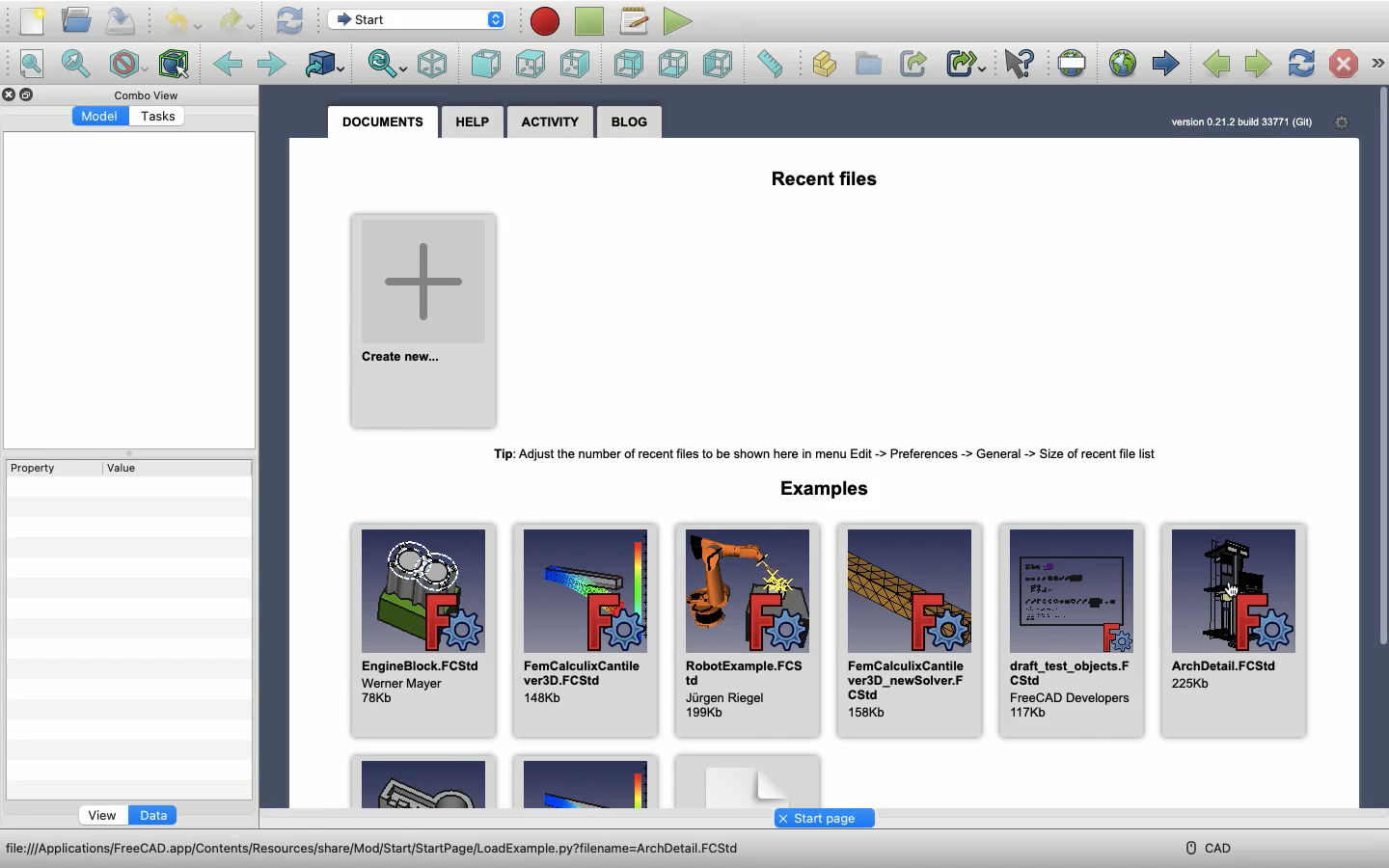 The image size is (1389, 868). I want to click on Undo, so click(183, 21).